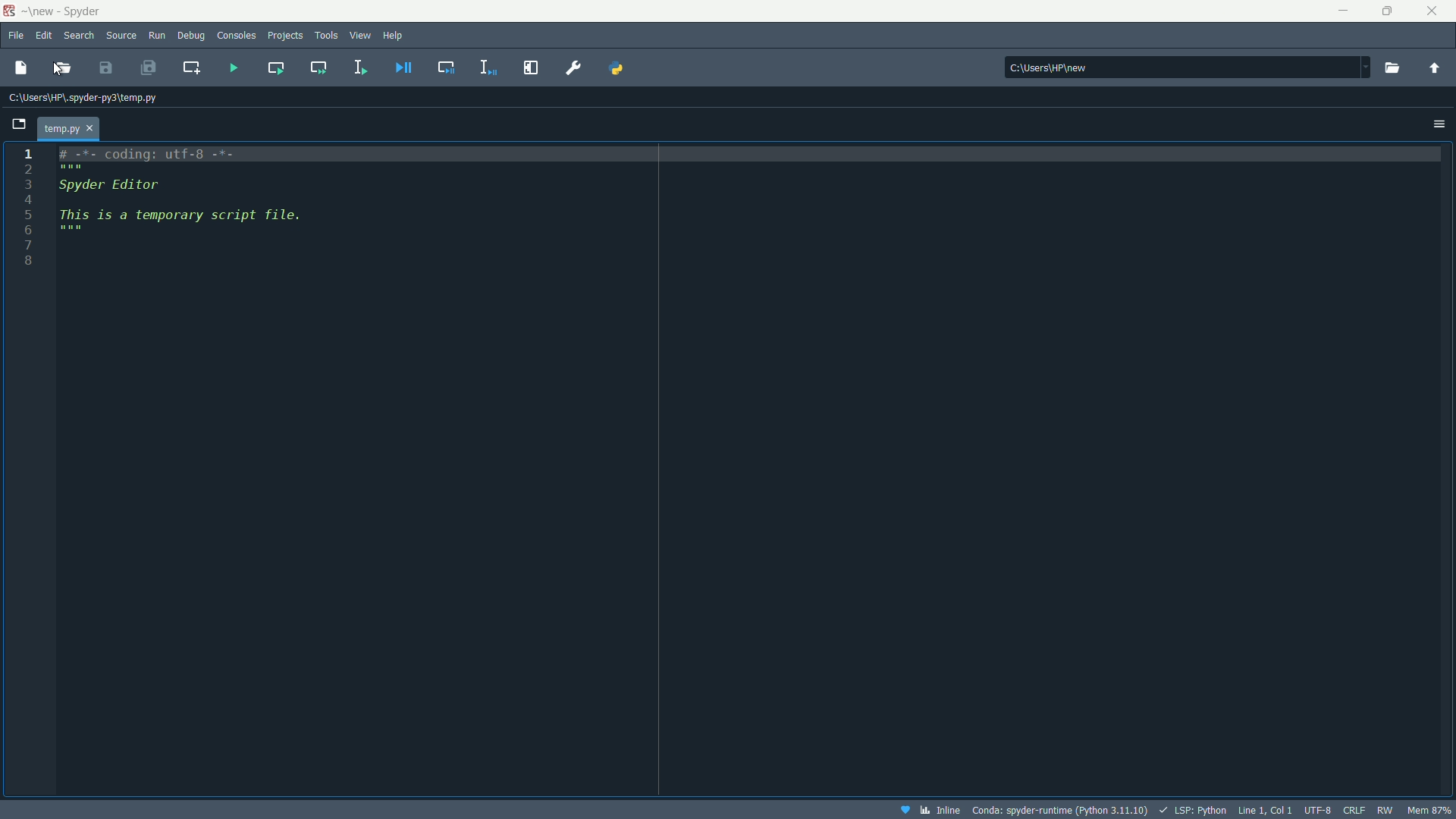 This screenshot has height=819, width=1456. Describe the element at coordinates (22, 69) in the screenshot. I see `new file` at that location.